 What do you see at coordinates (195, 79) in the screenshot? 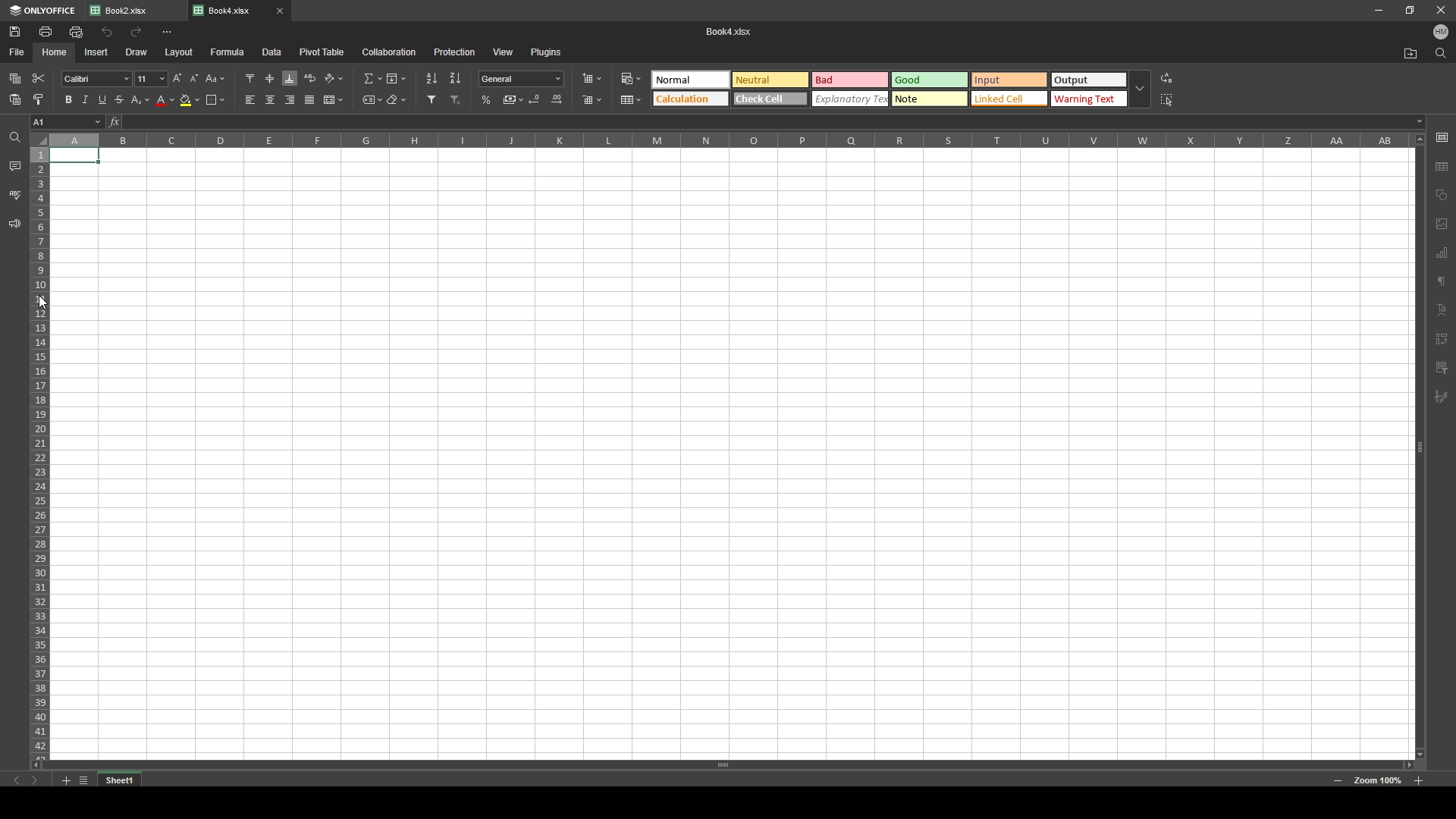
I see `decrement case` at bounding box center [195, 79].